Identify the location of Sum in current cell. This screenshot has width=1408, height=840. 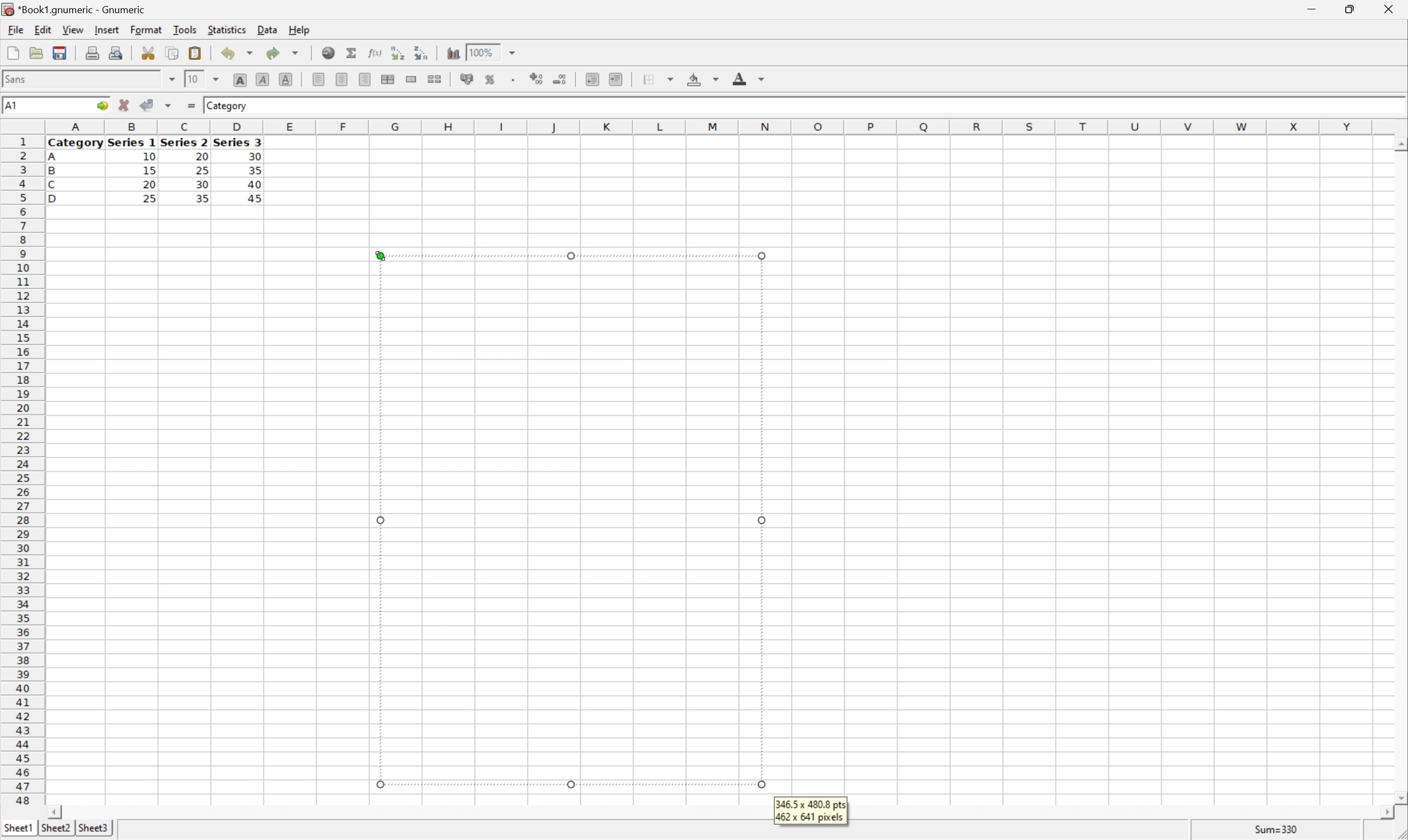
(353, 53).